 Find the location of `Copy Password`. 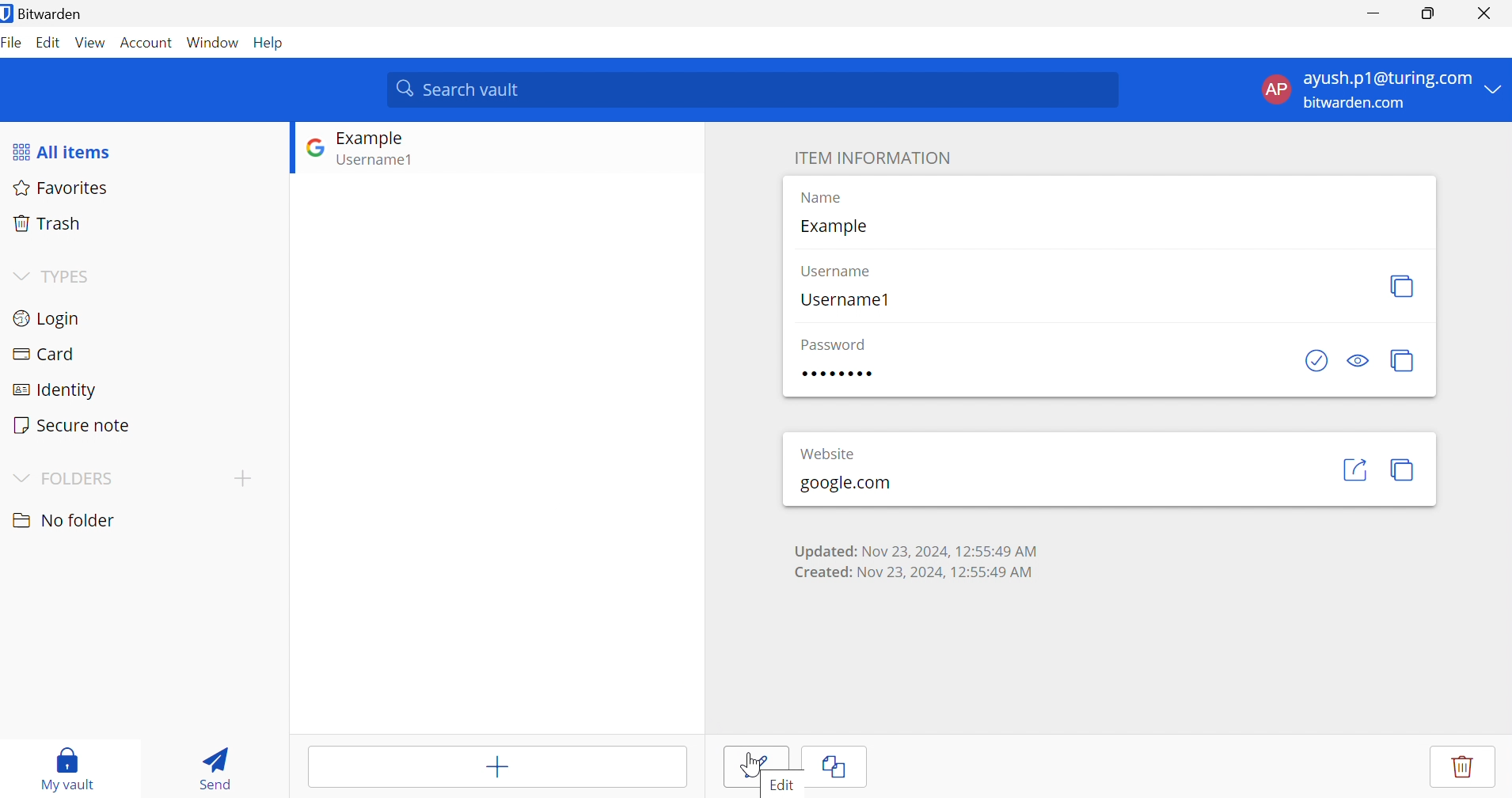

Copy Password is located at coordinates (1403, 360).